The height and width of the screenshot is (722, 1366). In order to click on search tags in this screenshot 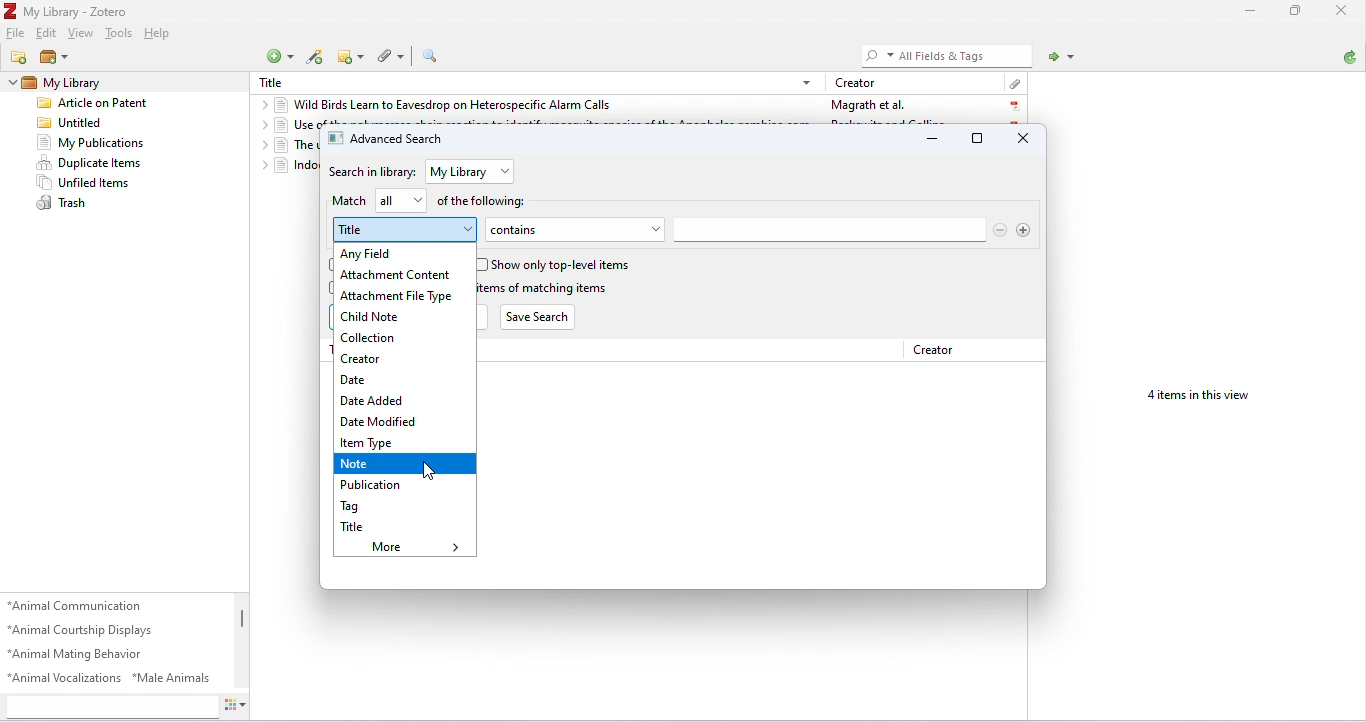, I will do `click(110, 705)`.